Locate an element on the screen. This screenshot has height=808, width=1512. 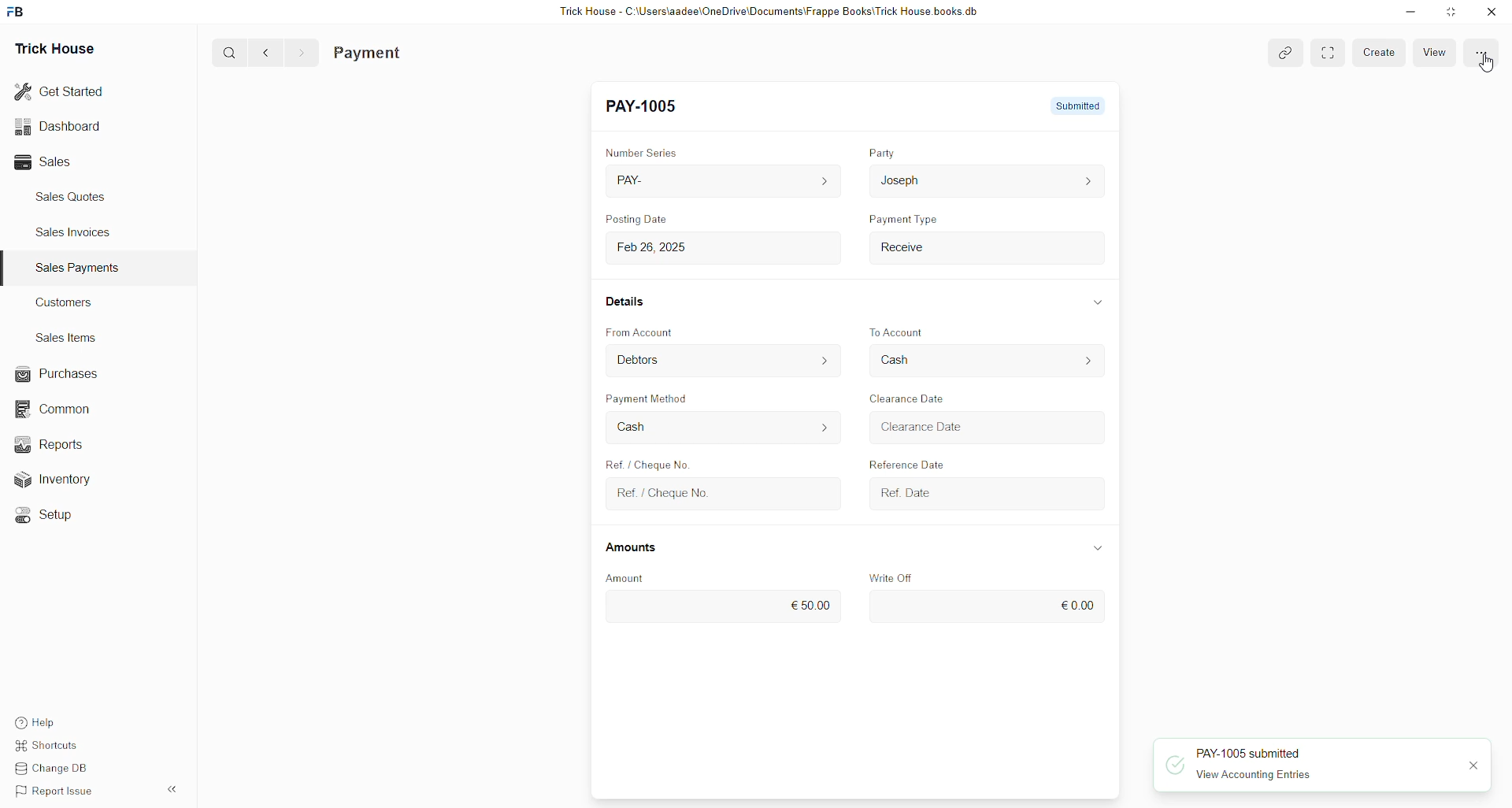
More options is located at coordinates (1481, 53).